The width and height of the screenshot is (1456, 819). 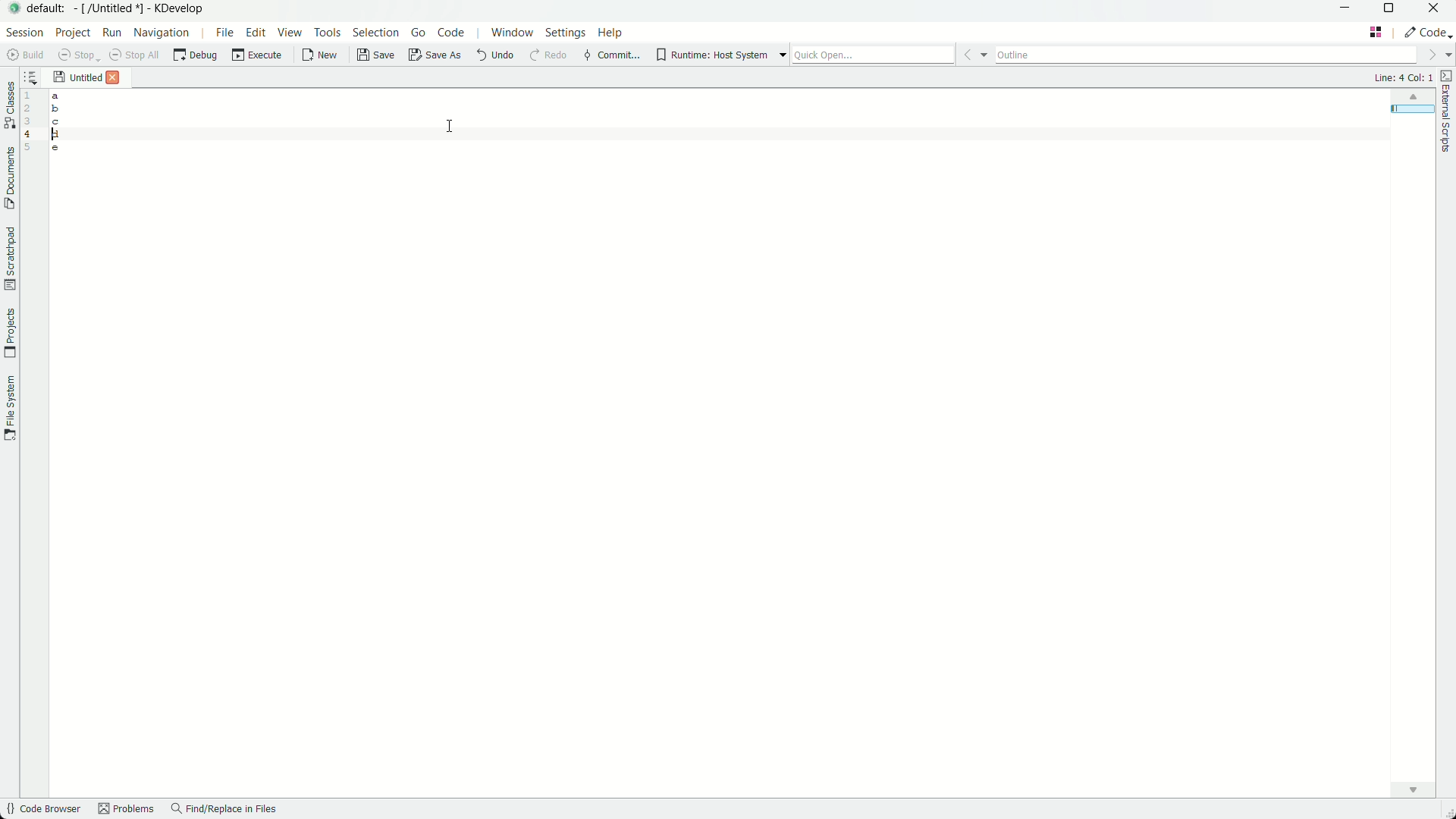 What do you see at coordinates (259, 57) in the screenshot?
I see `execute` at bounding box center [259, 57].